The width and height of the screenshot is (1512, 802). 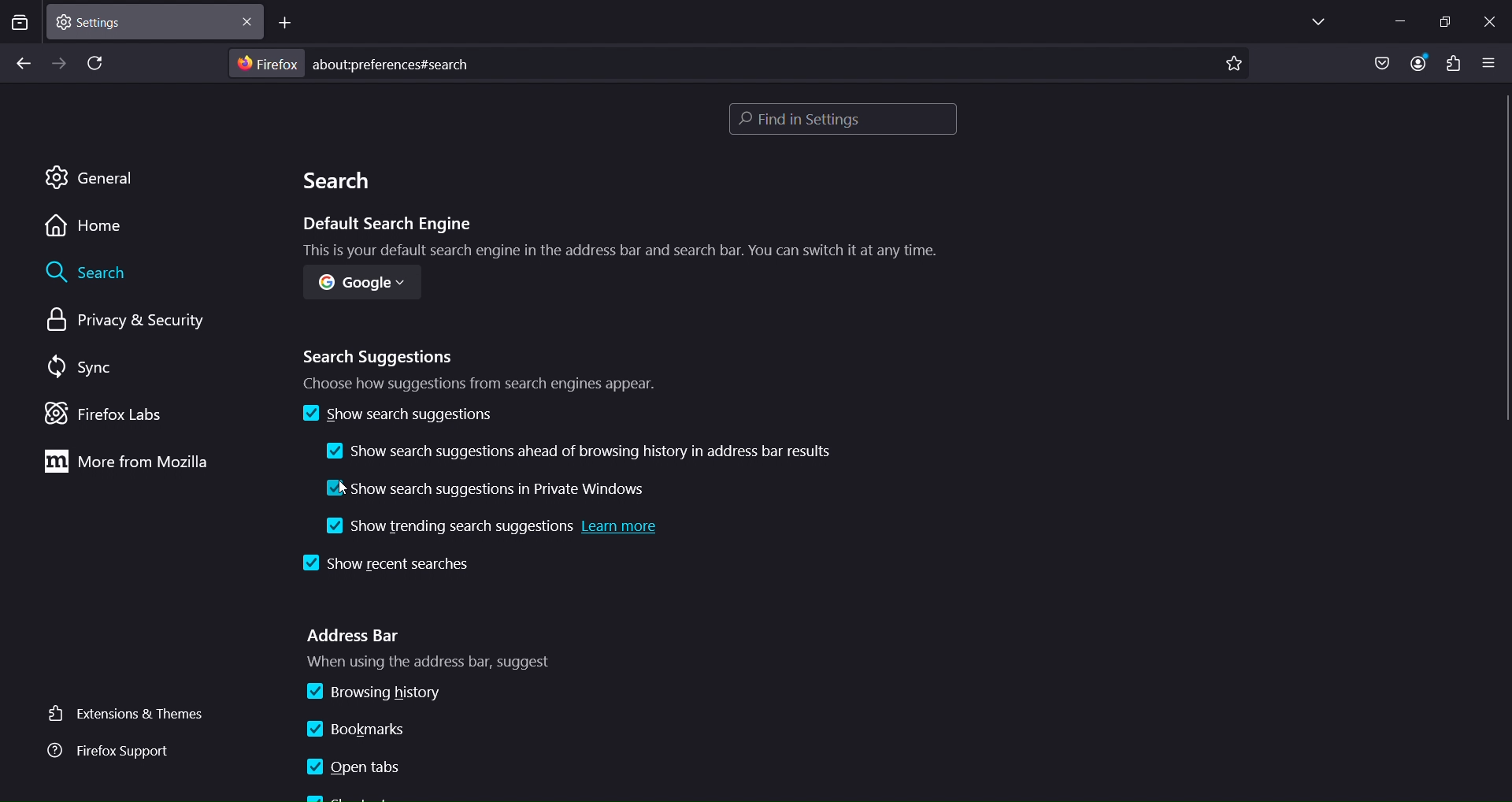 What do you see at coordinates (1234, 65) in the screenshot?
I see `bookmark` at bounding box center [1234, 65].